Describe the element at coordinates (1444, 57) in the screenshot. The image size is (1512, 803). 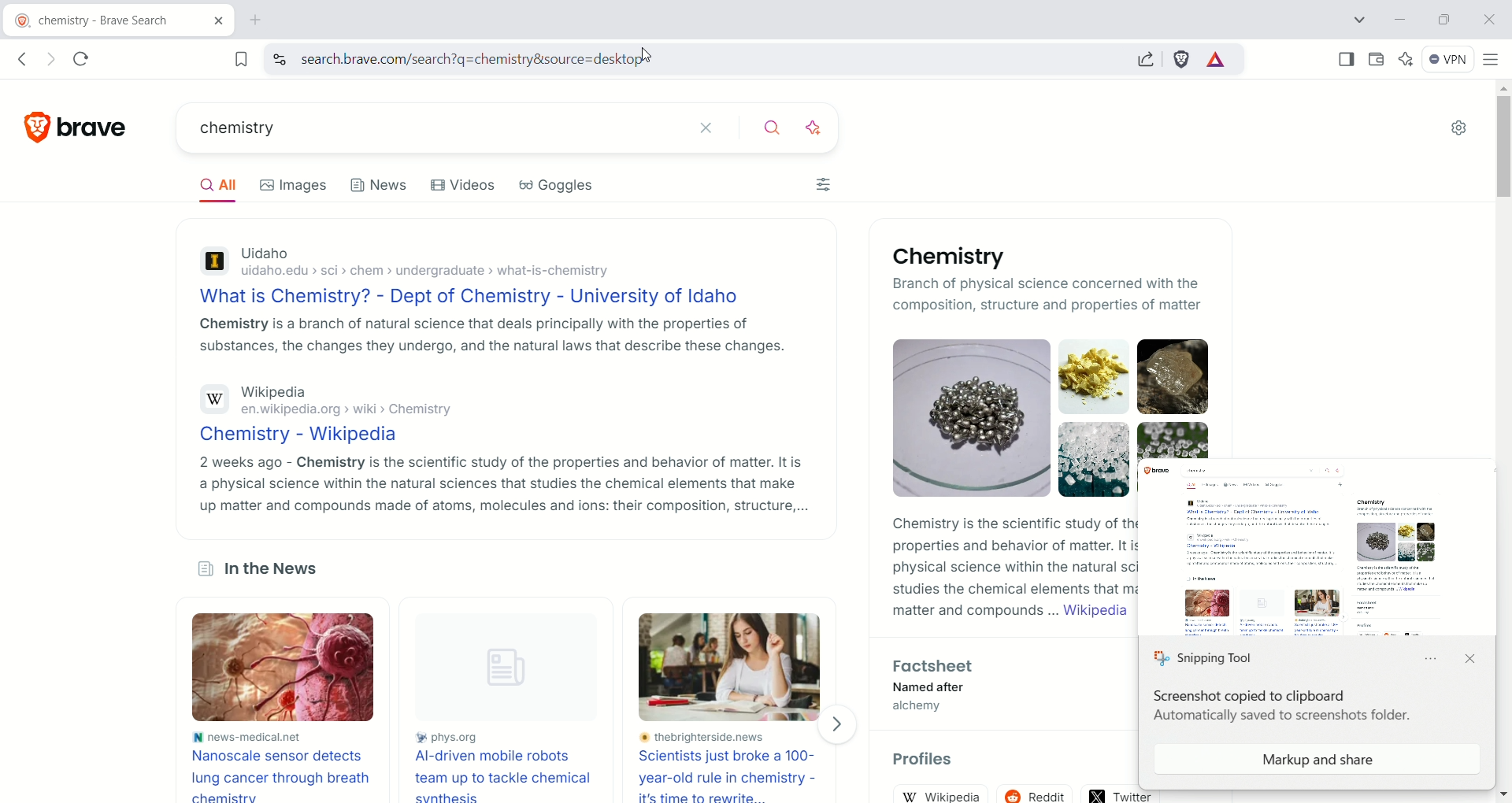
I see `VPN` at that location.